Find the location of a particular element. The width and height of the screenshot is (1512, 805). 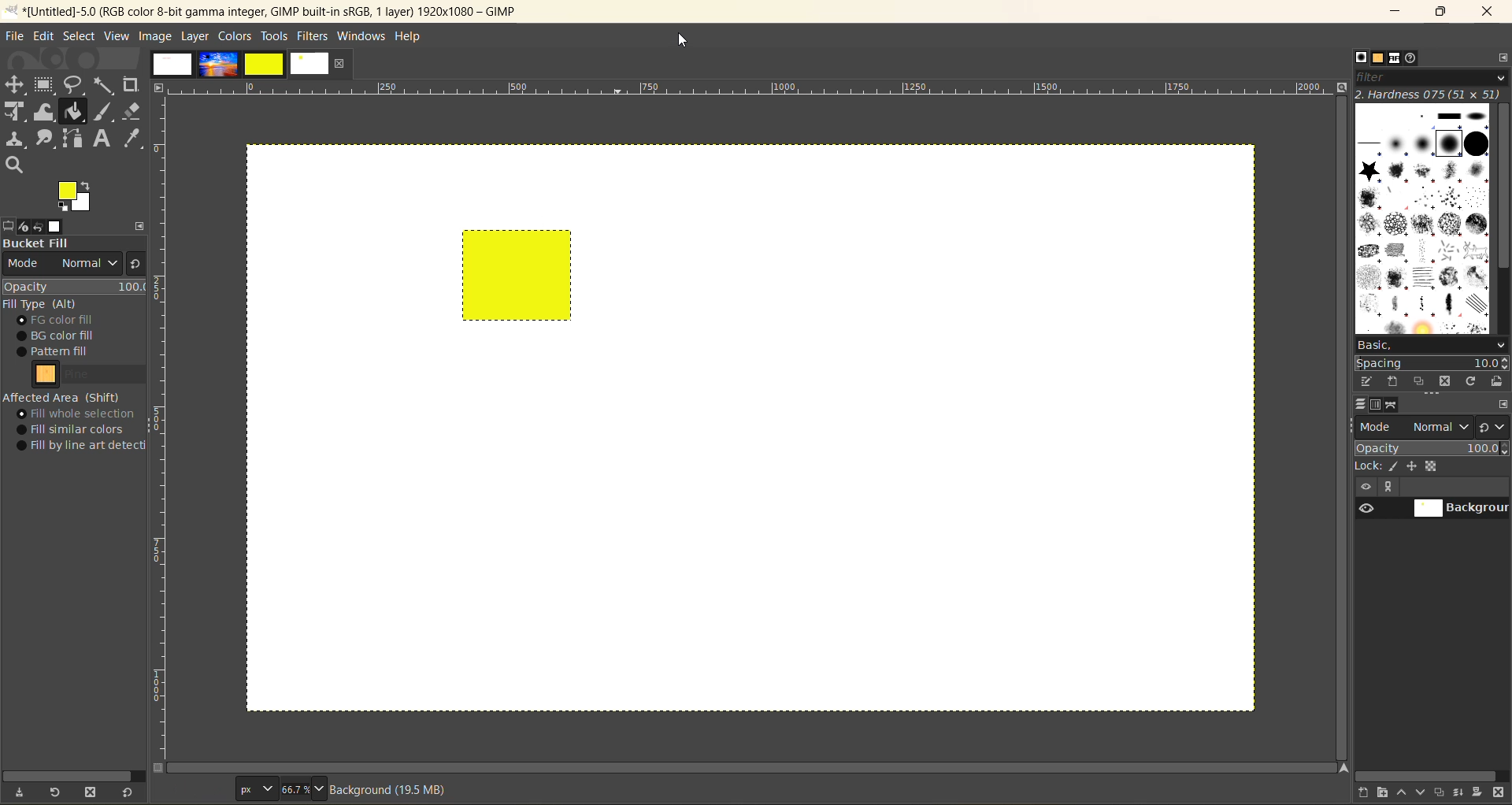

colors is located at coordinates (237, 37).